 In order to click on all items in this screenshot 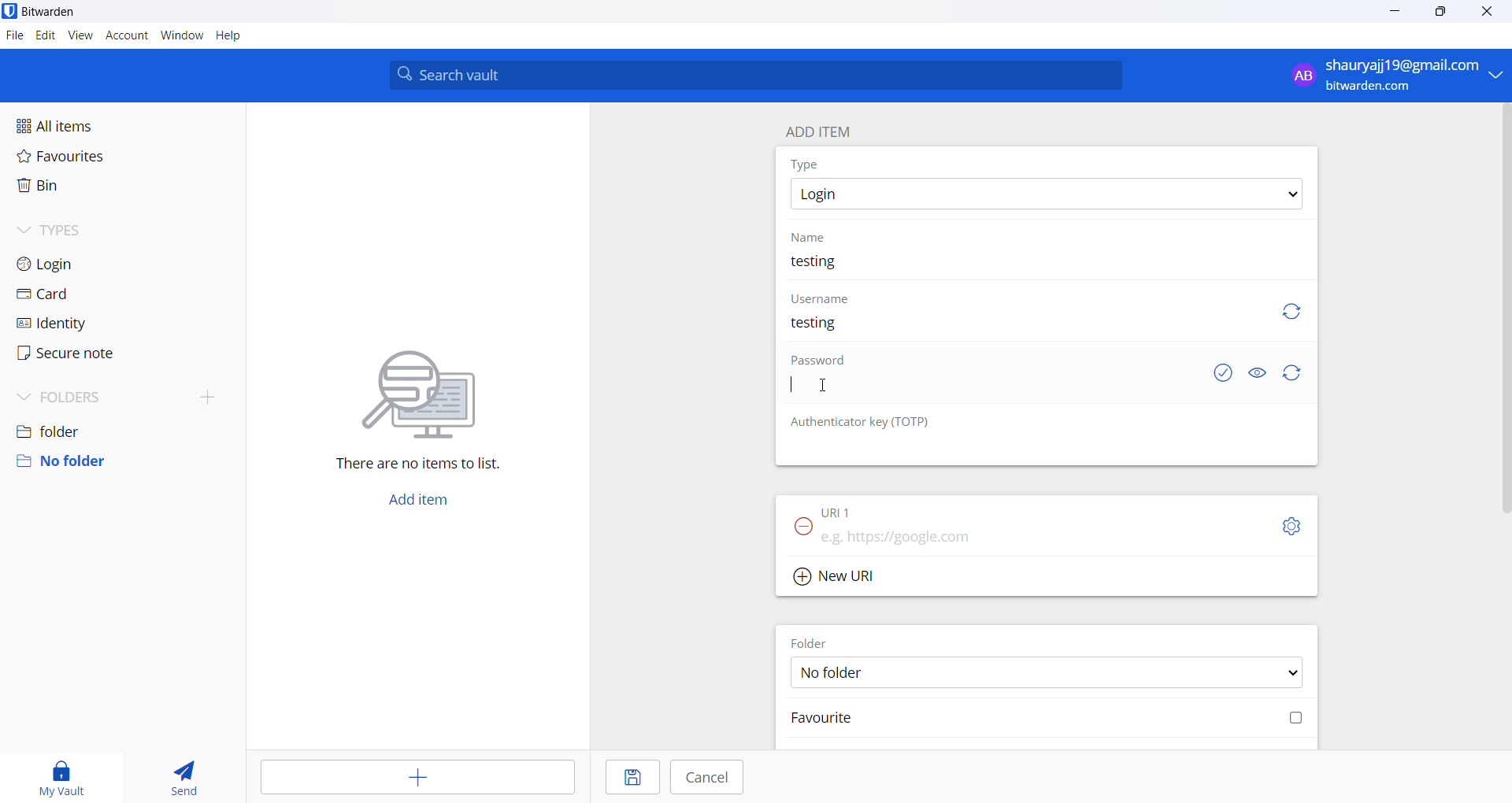, I will do `click(91, 123)`.